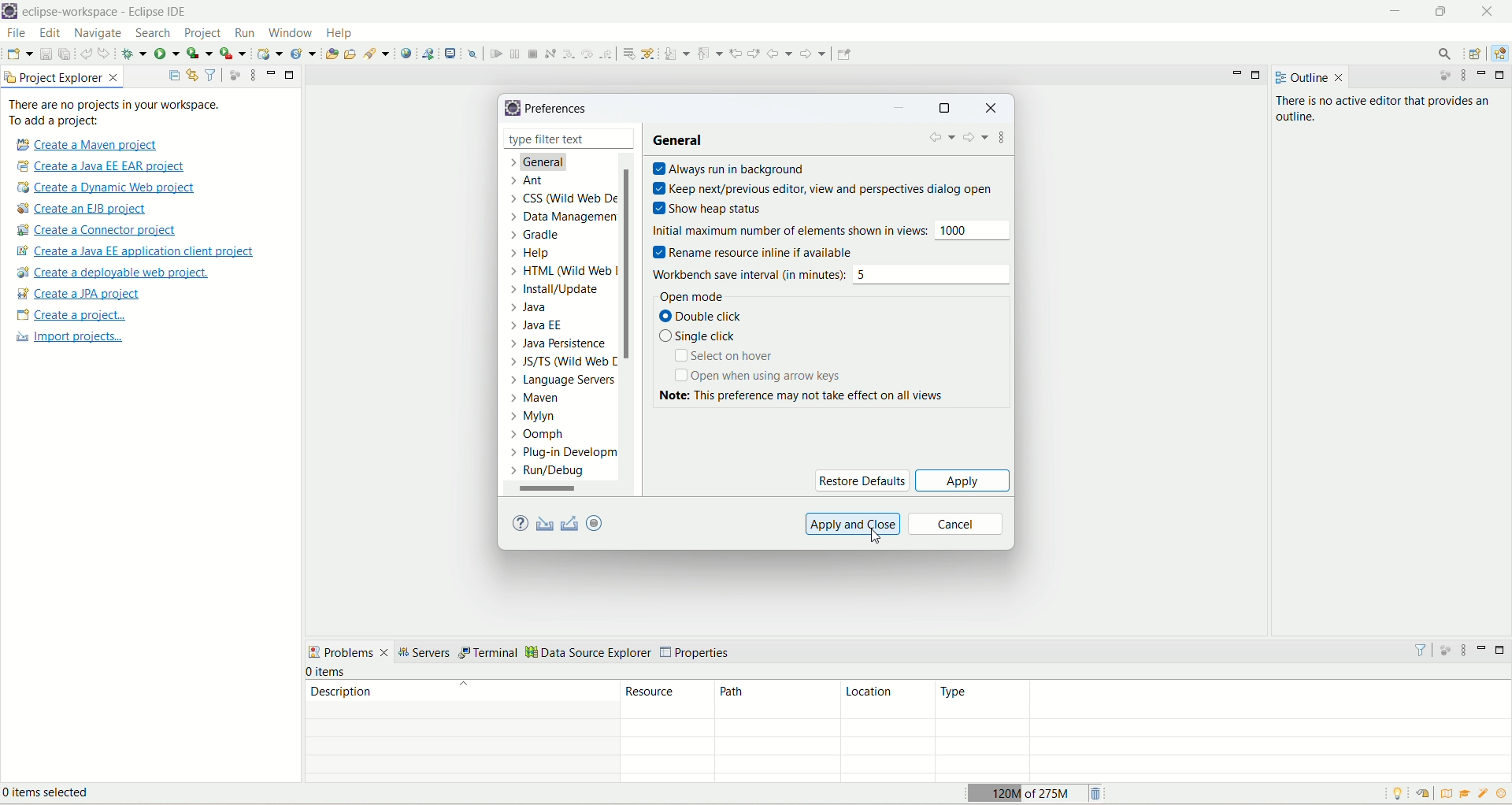  What do you see at coordinates (539, 400) in the screenshot?
I see `mayer` at bounding box center [539, 400].